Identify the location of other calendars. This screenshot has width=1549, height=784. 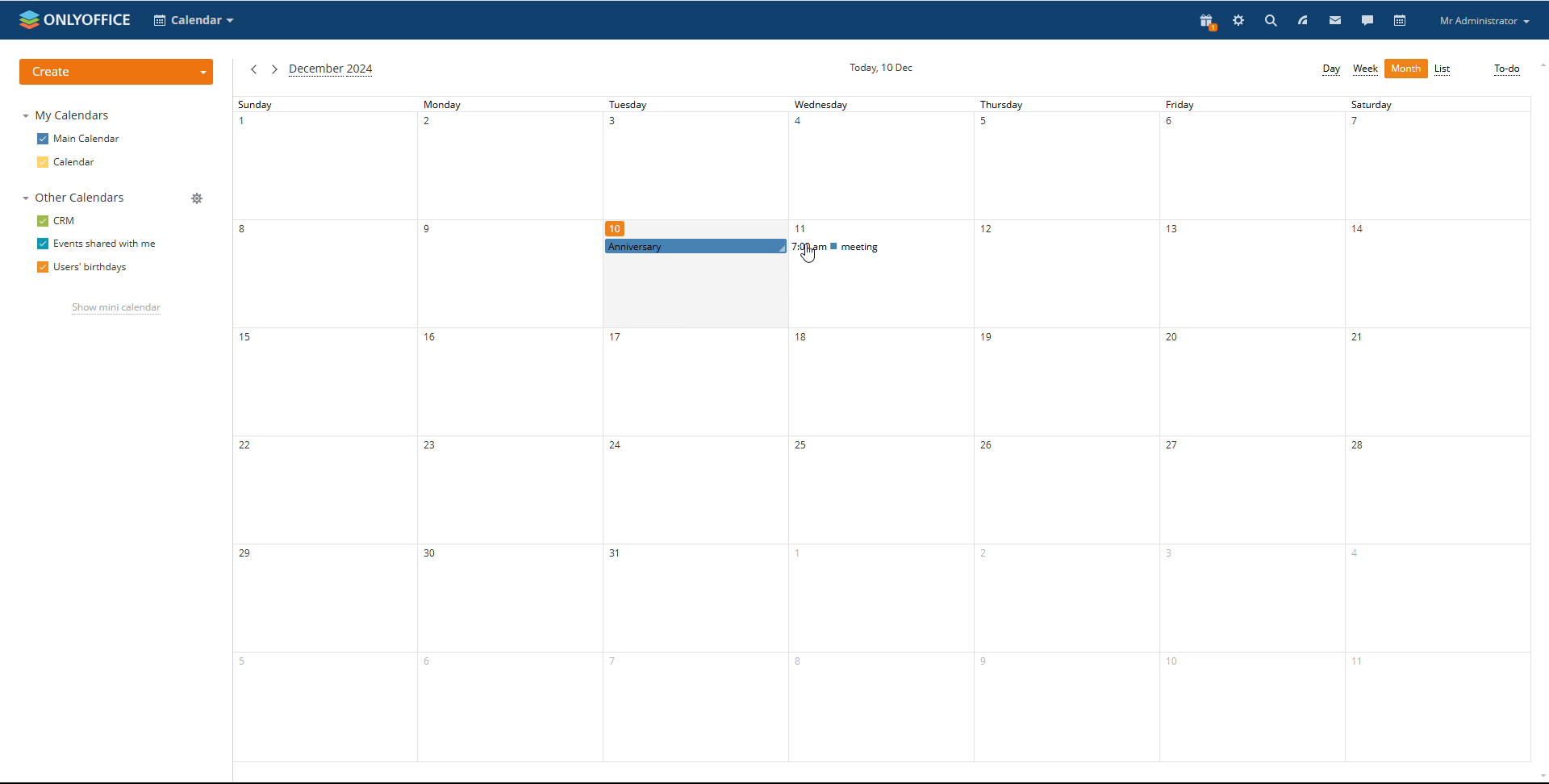
(74, 198).